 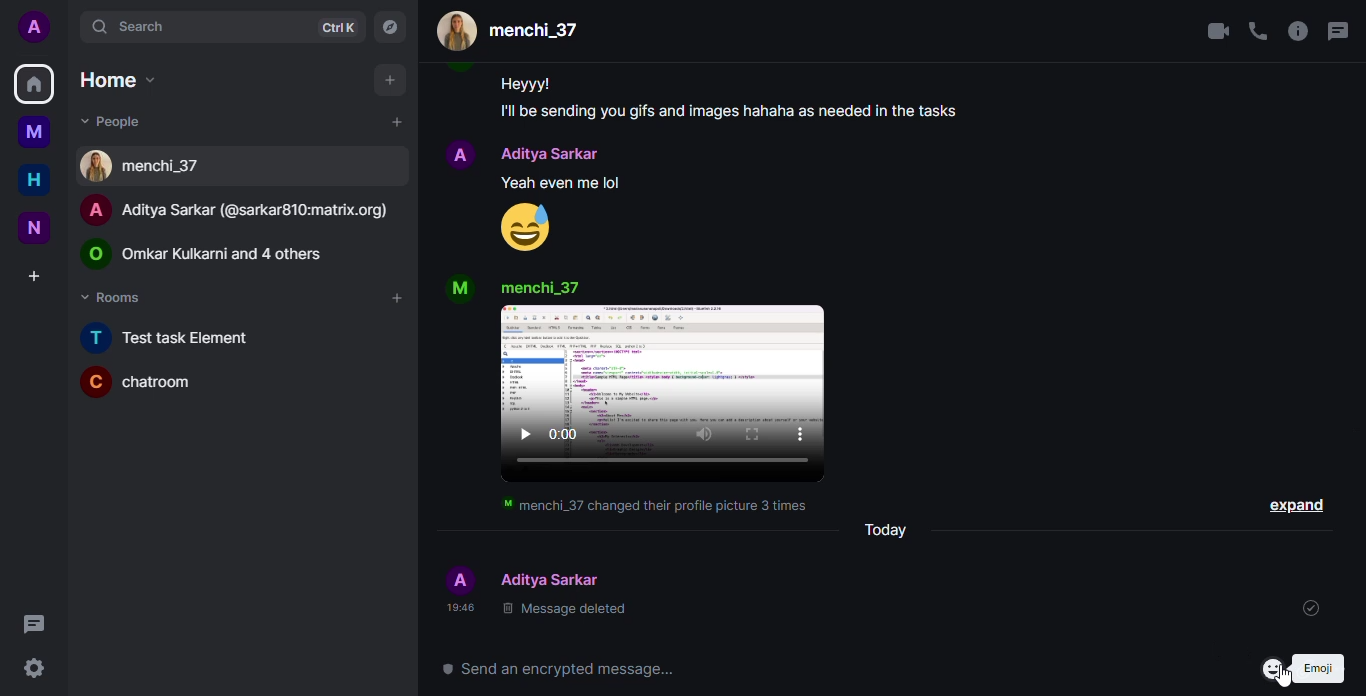 What do you see at coordinates (395, 122) in the screenshot?
I see `add` at bounding box center [395, 122].